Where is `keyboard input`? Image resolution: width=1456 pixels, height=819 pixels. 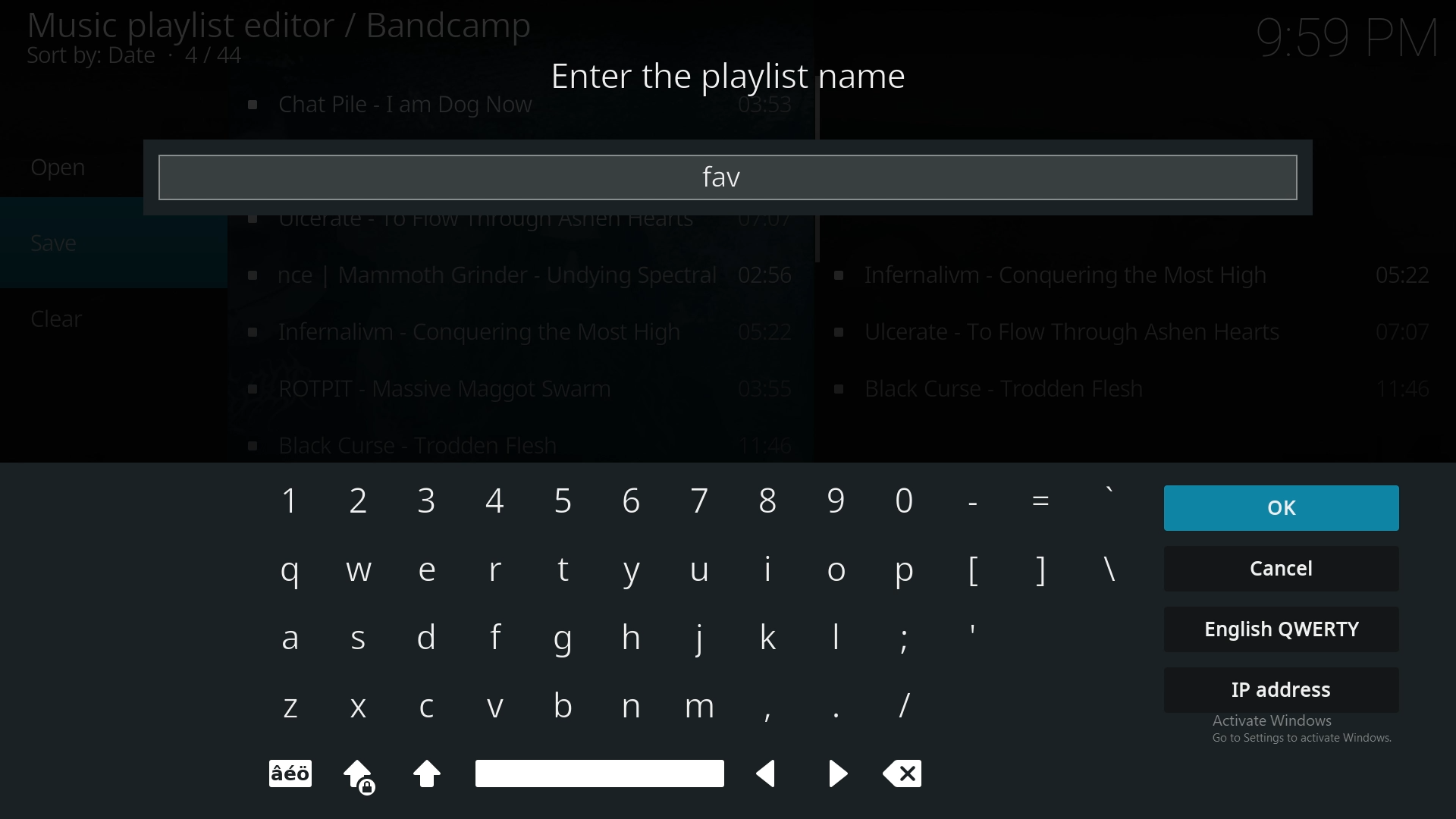
keyboard input is located at coordinates (428, 504).